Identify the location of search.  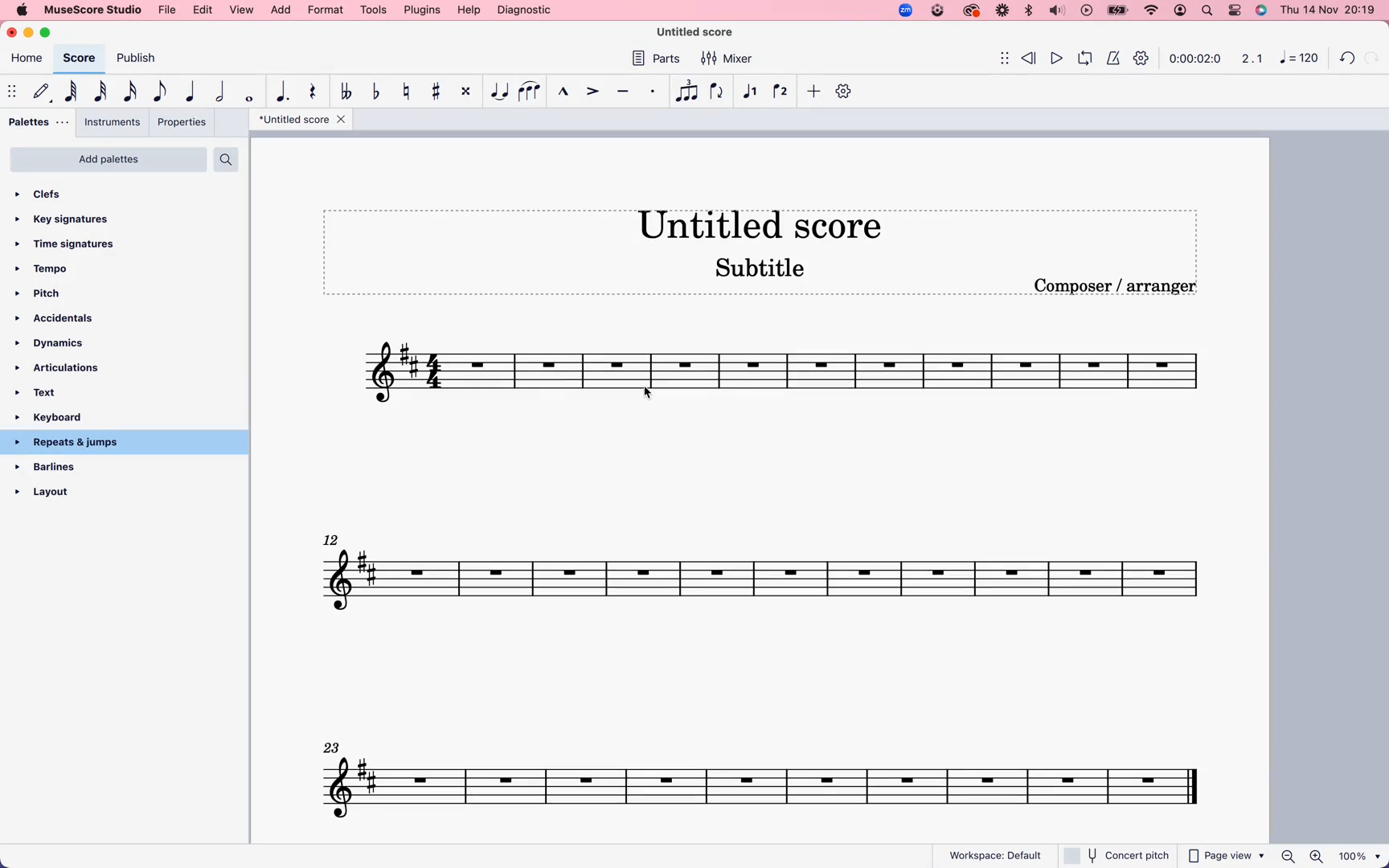
(1208, 10).